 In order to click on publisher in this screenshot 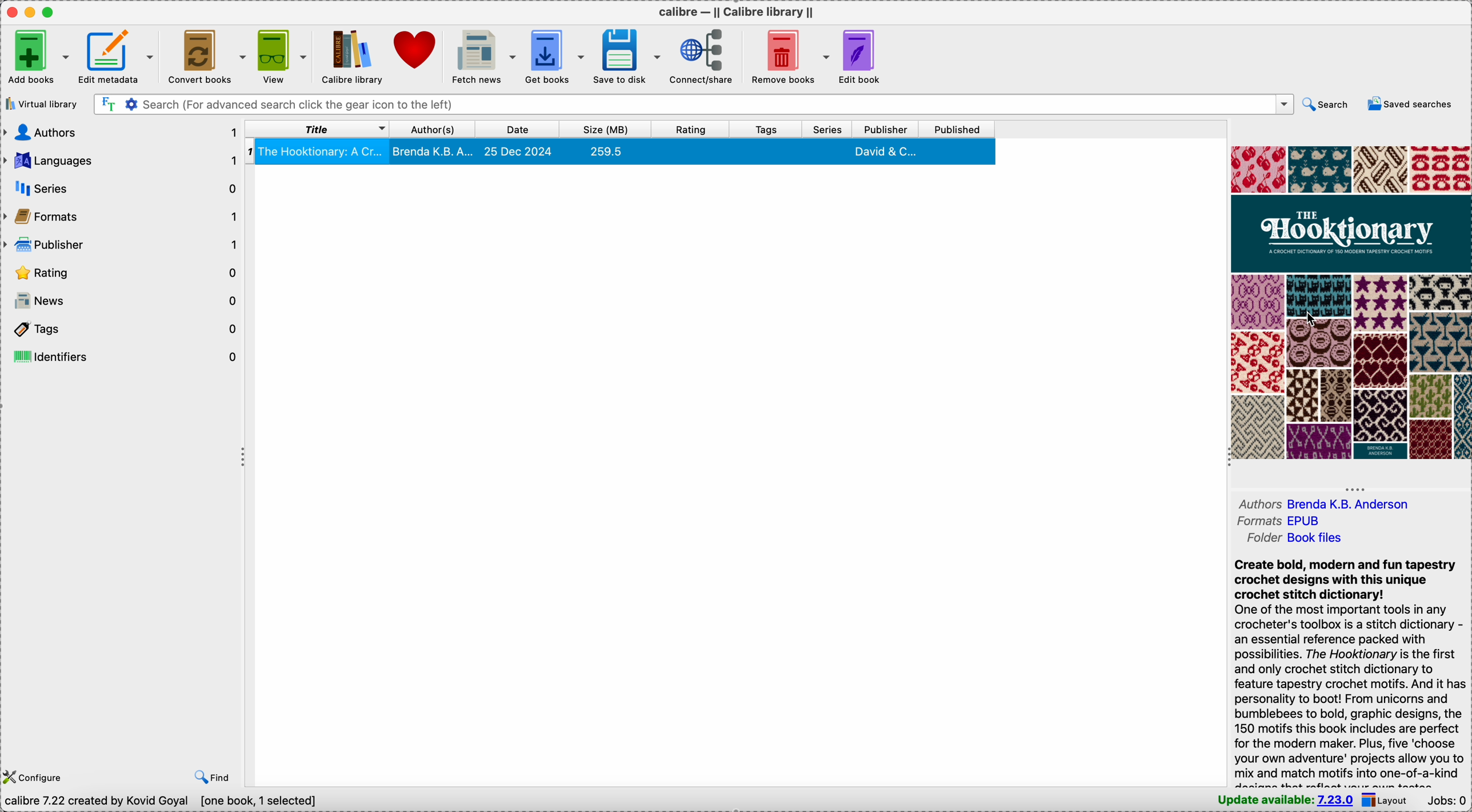, I will do `click(885, 129)`.